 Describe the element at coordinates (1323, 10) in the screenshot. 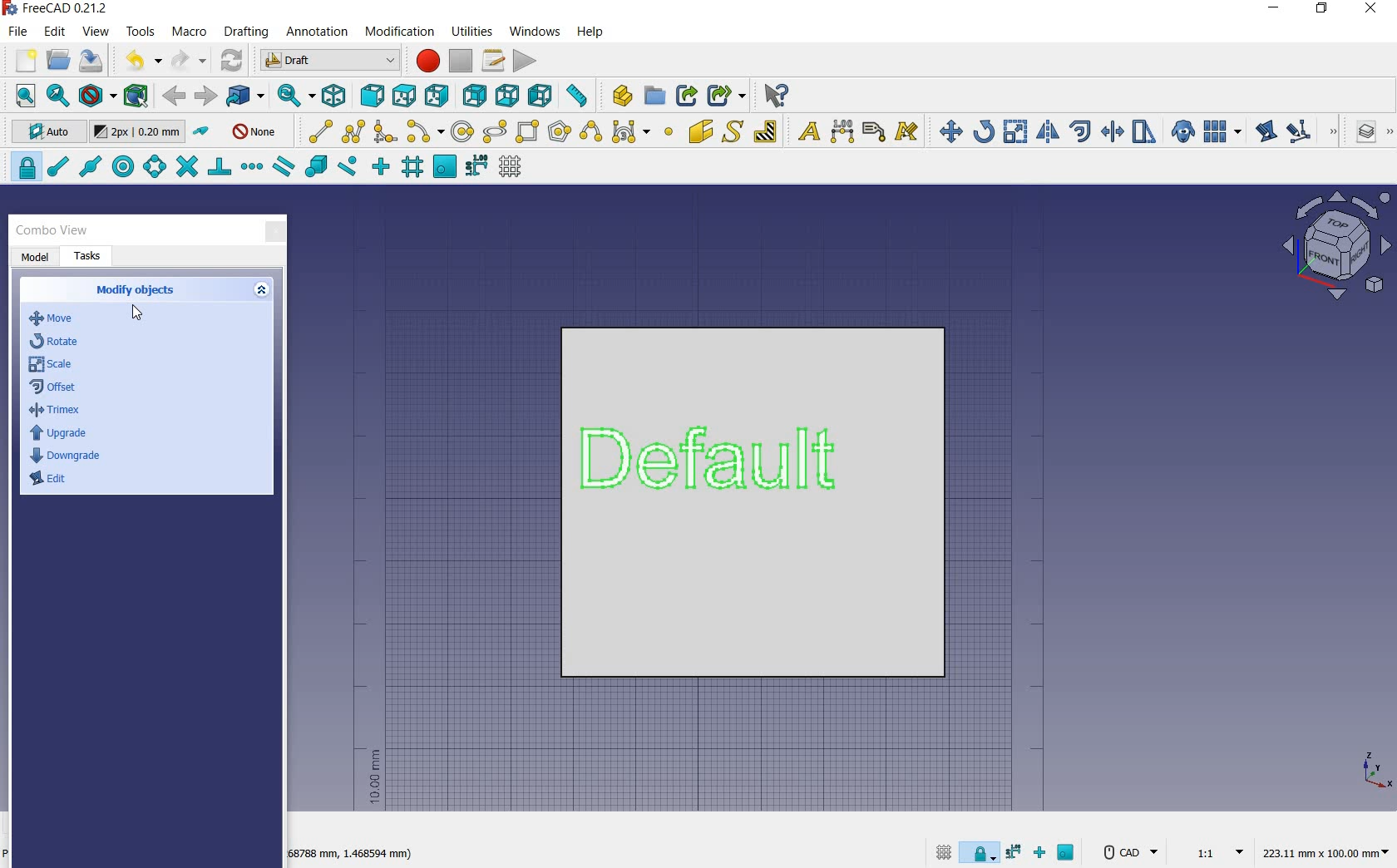

I see `restore down` at that location.